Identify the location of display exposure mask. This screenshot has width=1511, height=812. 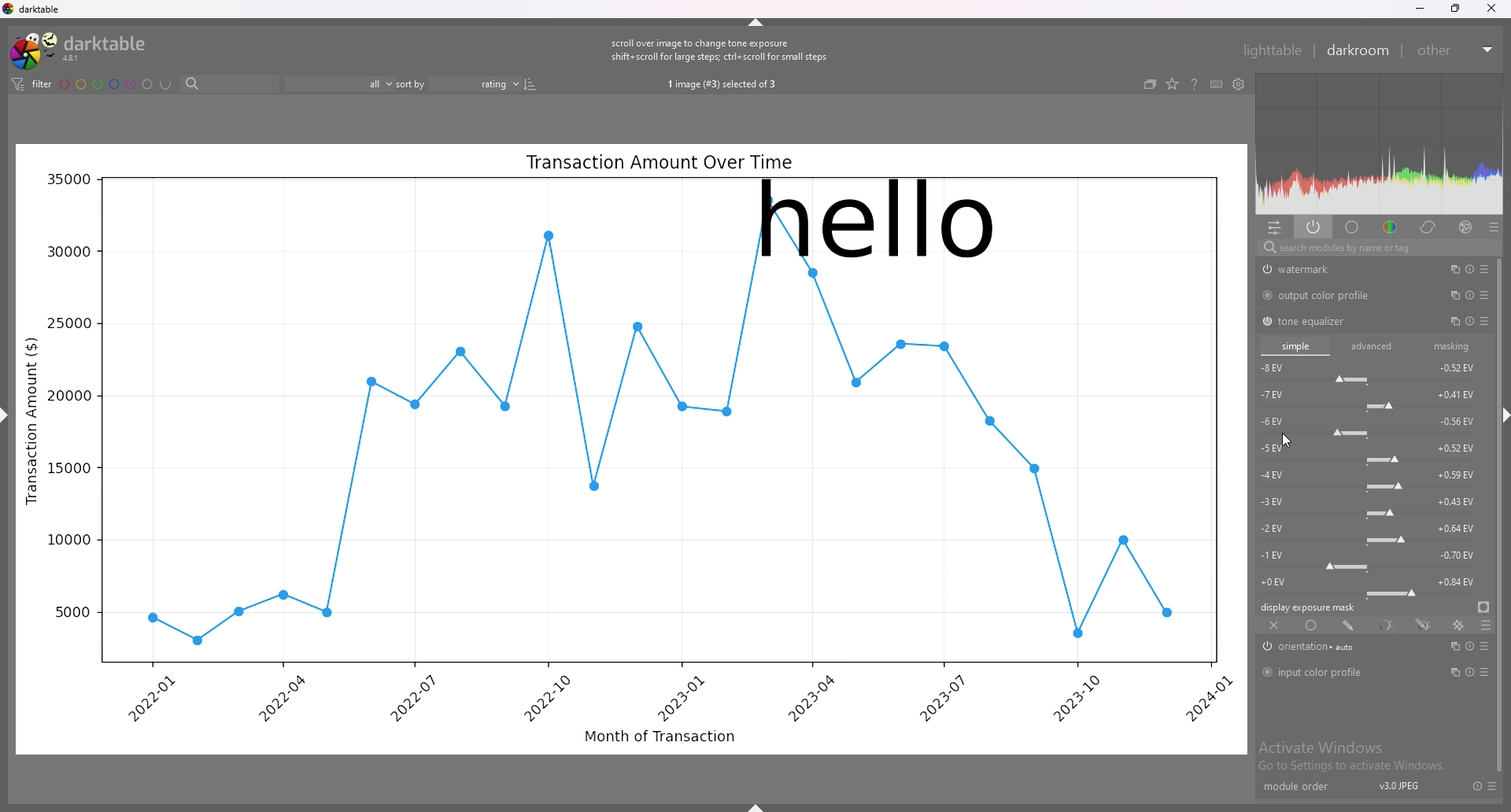
(1483, 607).